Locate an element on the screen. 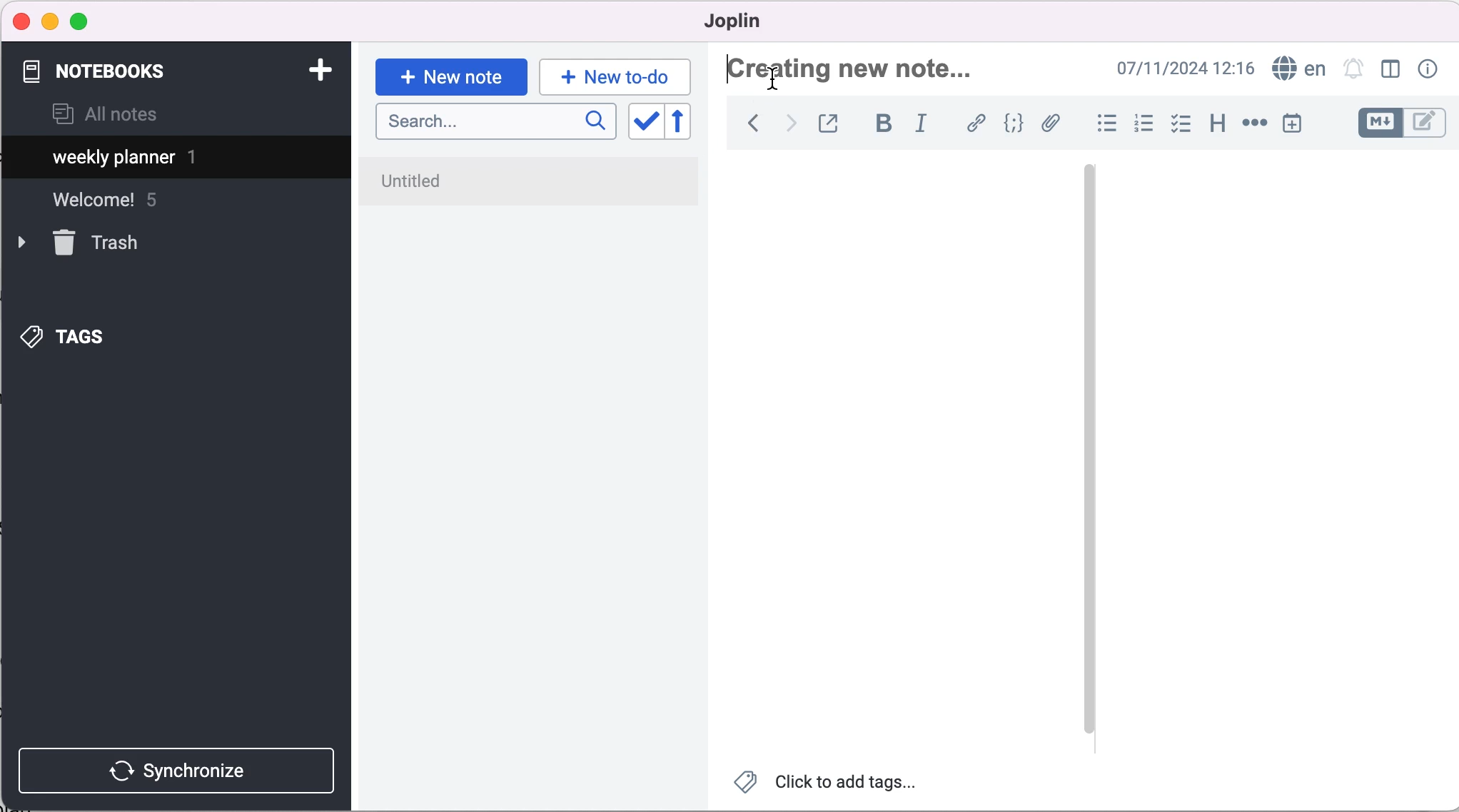  search is located at coordinates (495, 122).